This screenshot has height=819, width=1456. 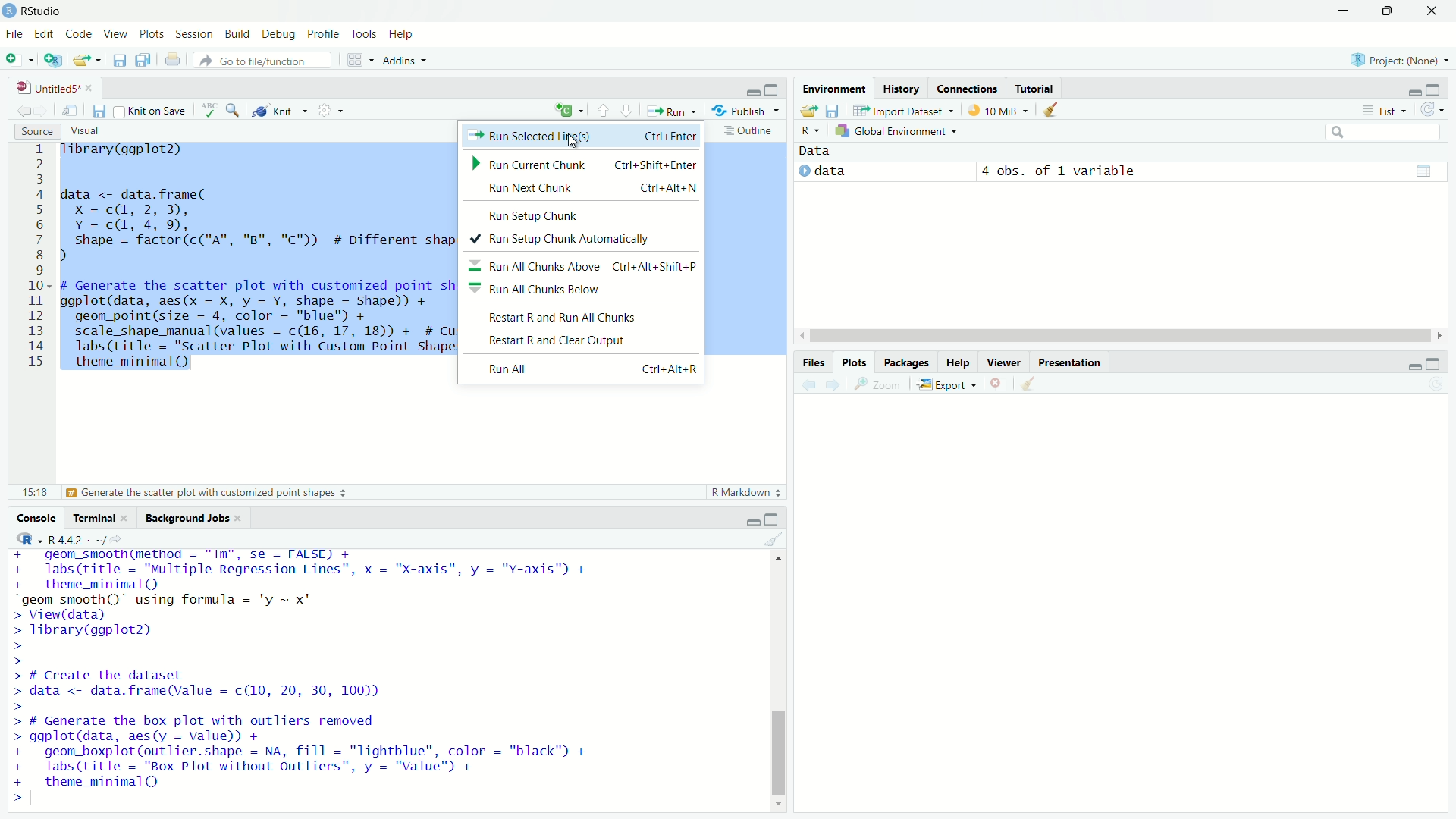 I want to click on Files, so click(x=813, y=362).